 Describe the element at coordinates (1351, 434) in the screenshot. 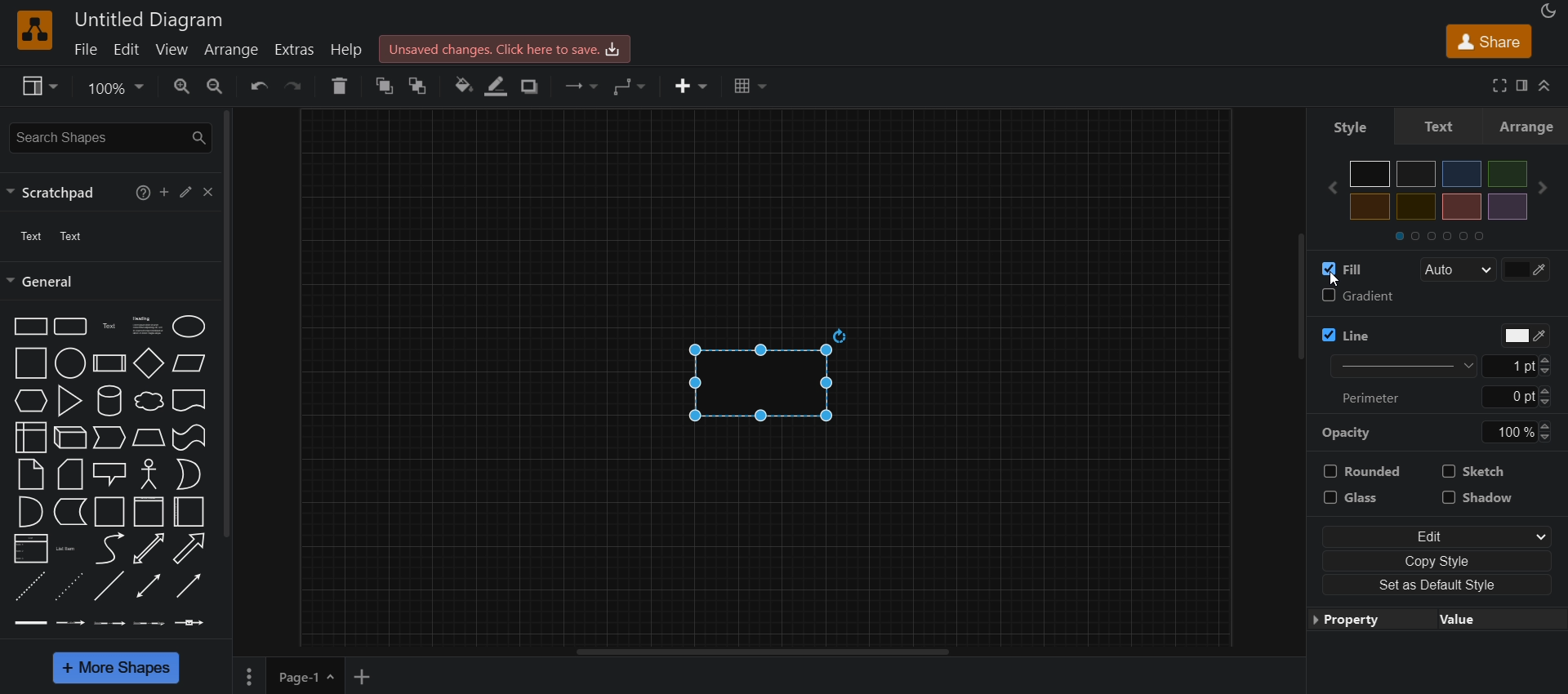

I see `opacity` at that location.